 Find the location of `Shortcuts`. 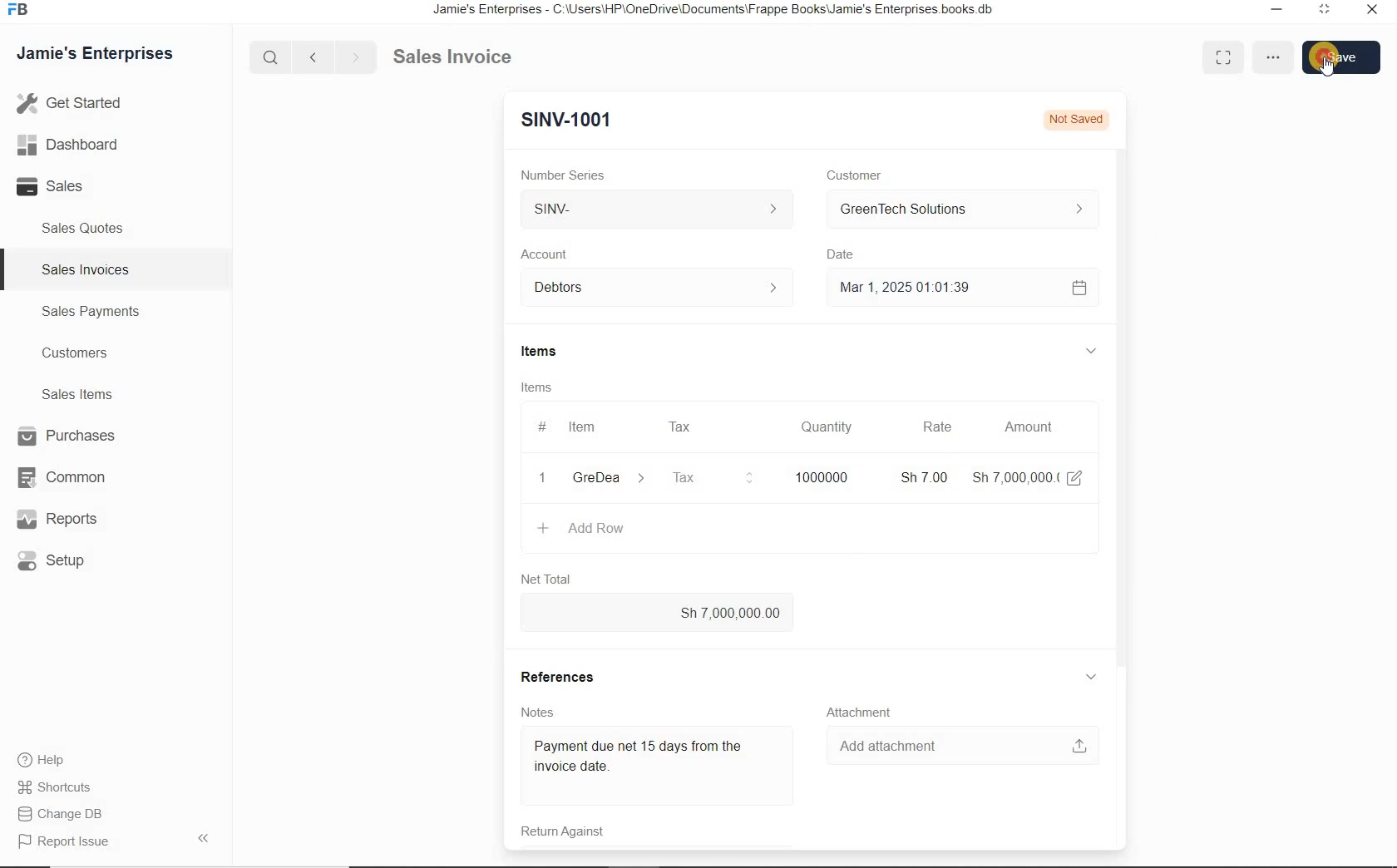

Shortcuts is located at coordinates (62, 787).